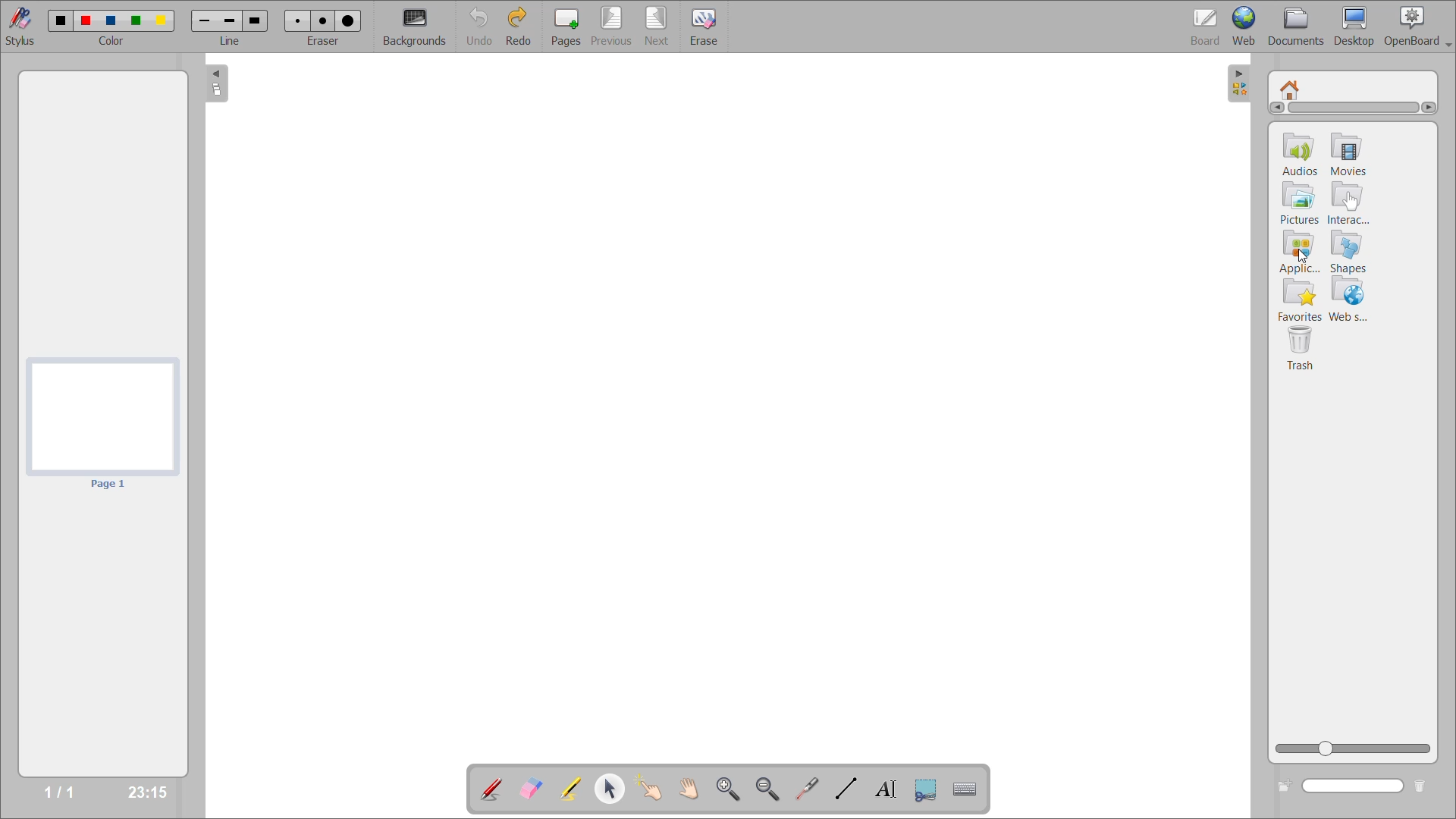 The width and height of the screenshot is (1456, 819). What do you see at coordinates (57, 20) in the screenshot?
I see `color 1` at bounding box center [57, 20].